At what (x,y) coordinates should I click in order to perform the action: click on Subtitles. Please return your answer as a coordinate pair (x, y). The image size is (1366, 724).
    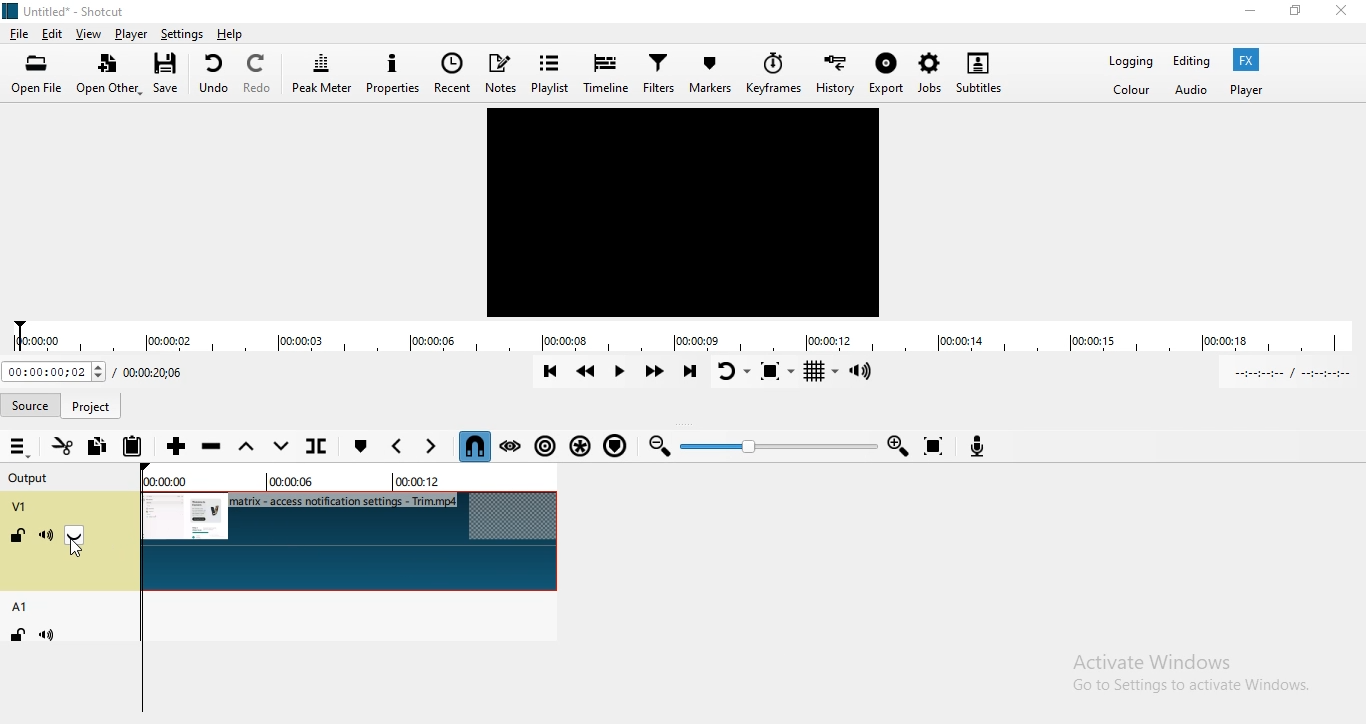
    Looking at the image, I should click on (987, 68).